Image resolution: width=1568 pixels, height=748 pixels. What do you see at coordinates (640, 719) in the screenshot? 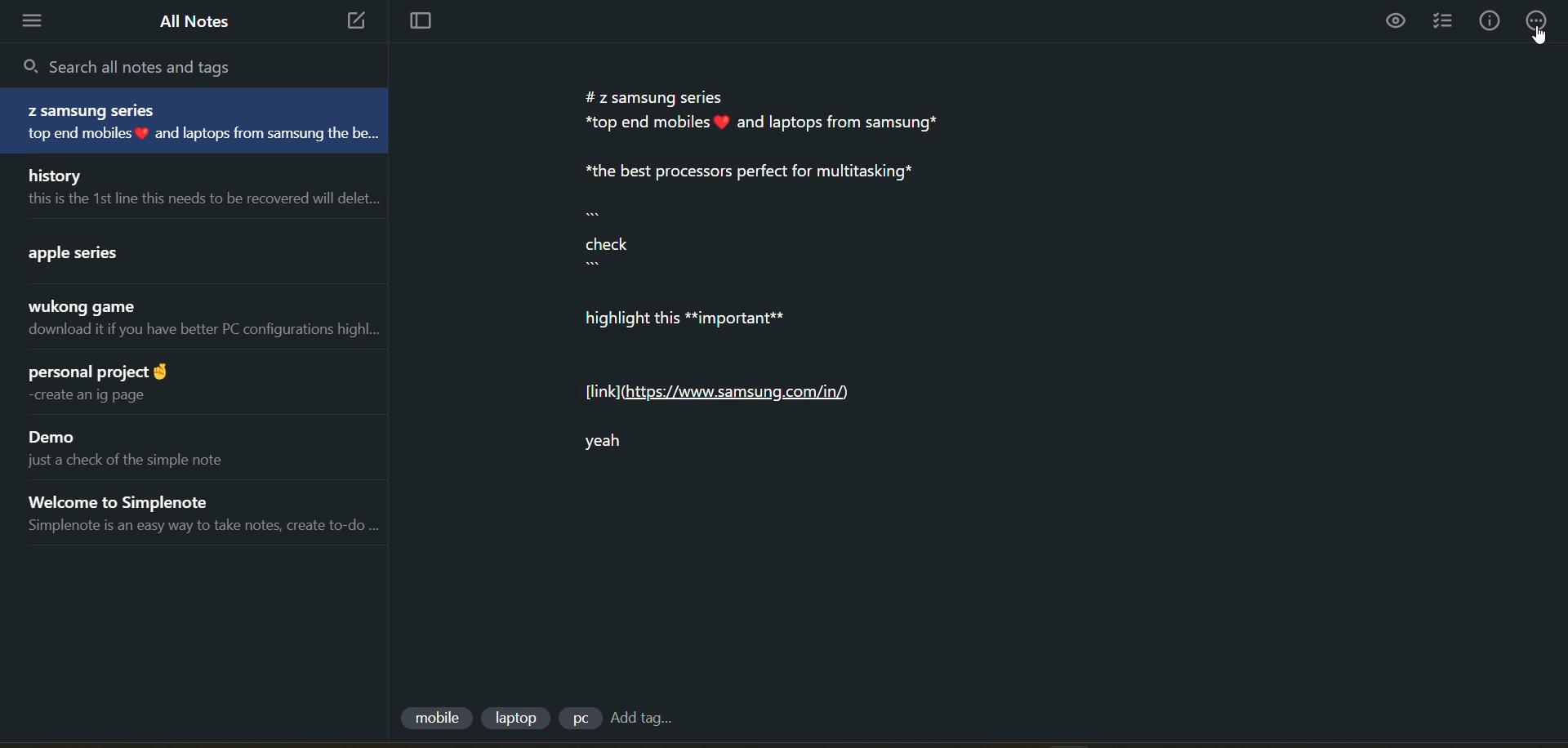
I see `add tag` at bounding box center [640, 719].